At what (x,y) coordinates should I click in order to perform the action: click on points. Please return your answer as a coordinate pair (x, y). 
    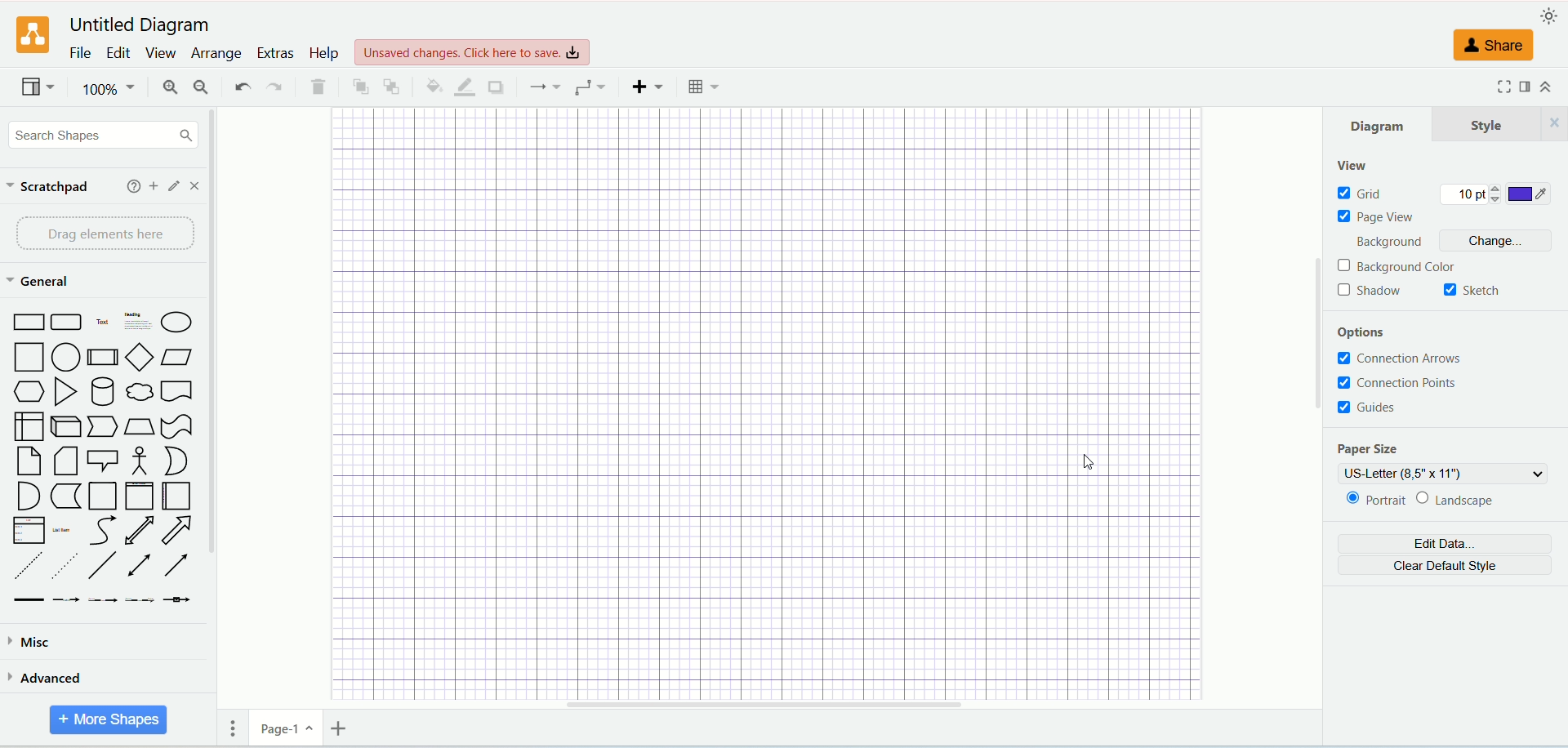
    Looking at the image, I should click on (1468, 195).